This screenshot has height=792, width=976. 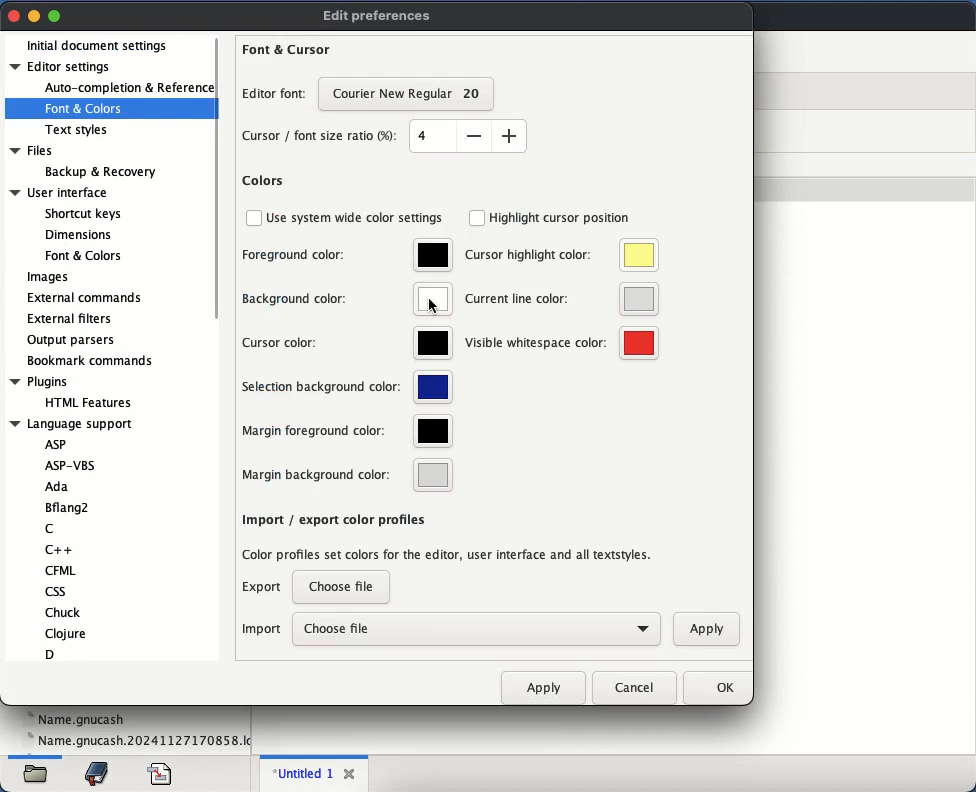 I want to click on Language support, so click(x=72, y=422).